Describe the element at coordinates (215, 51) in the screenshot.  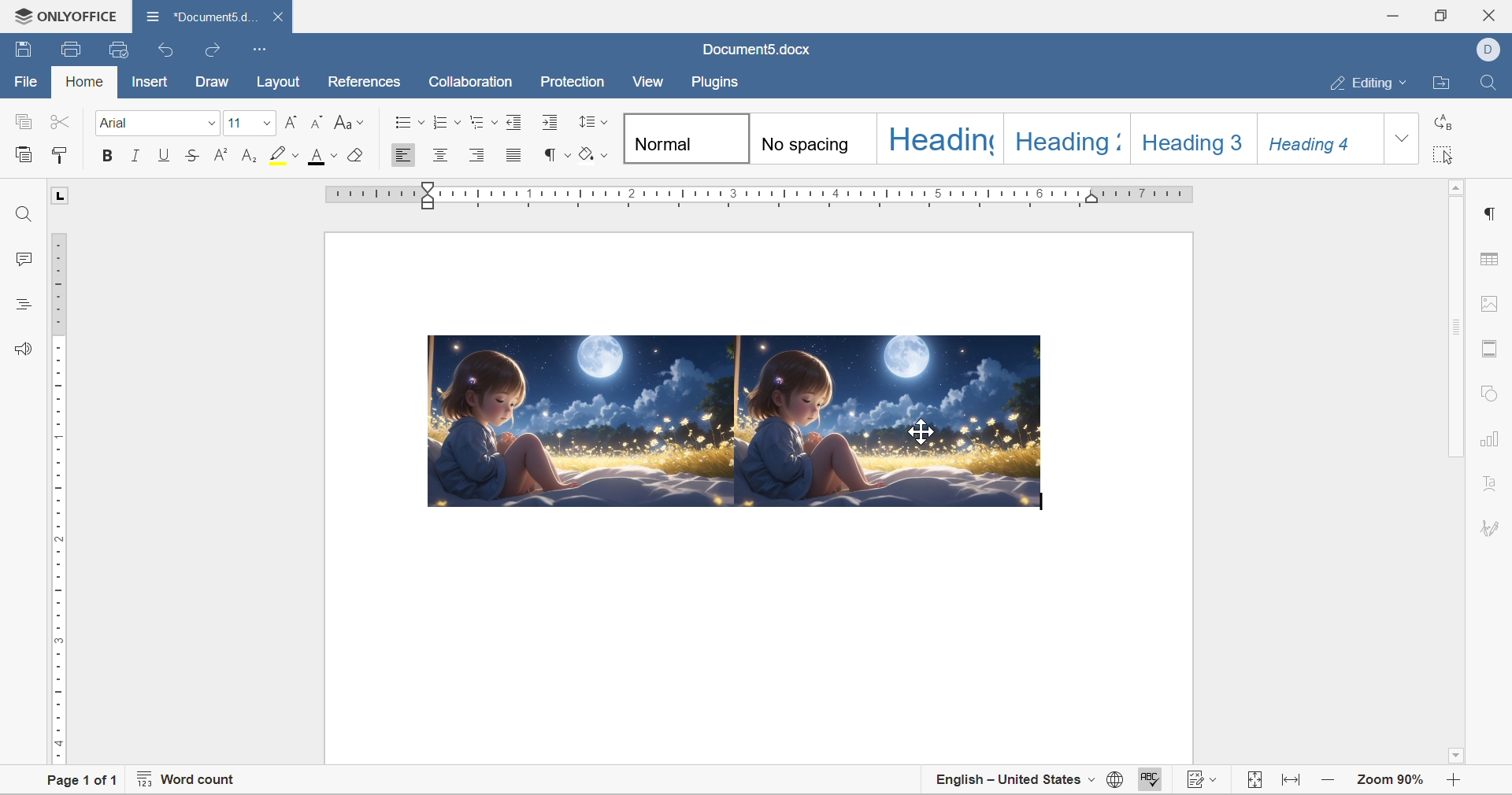
I see `redo` at that location.